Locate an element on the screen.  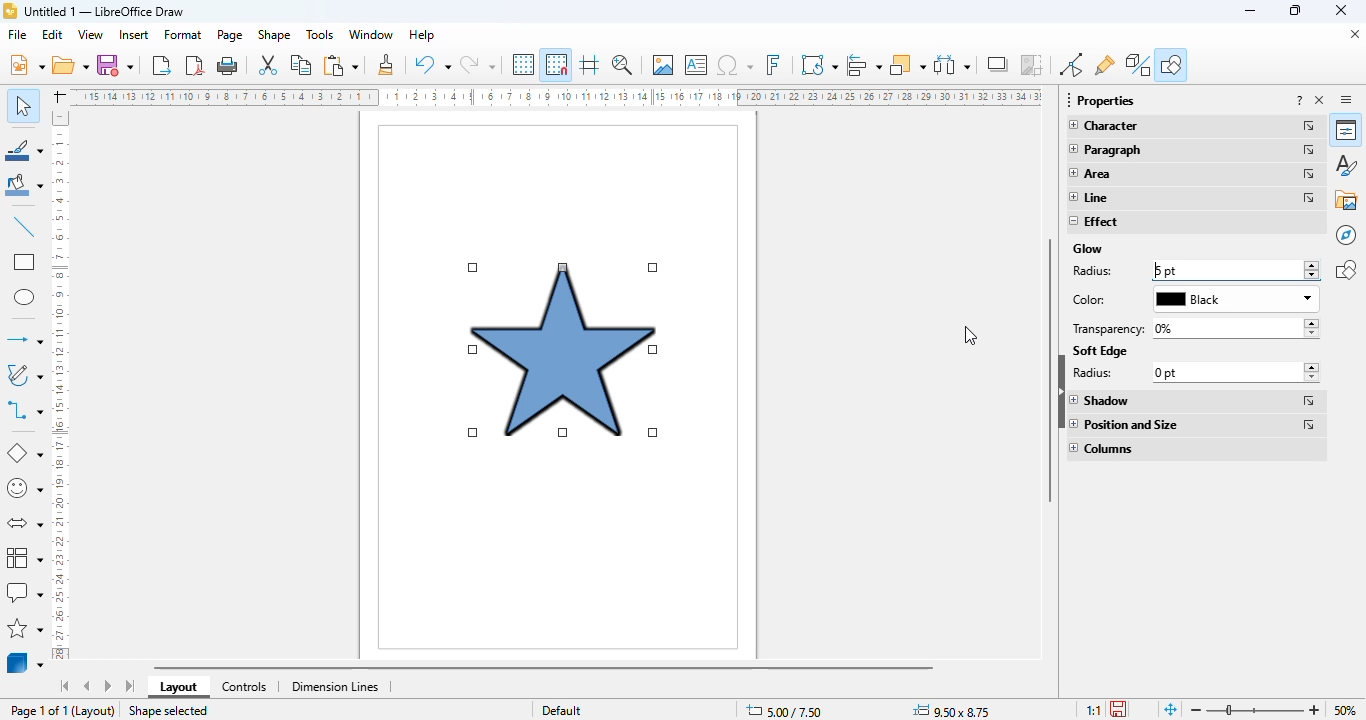
sidebar settings is located at coordinates (1346, 99).